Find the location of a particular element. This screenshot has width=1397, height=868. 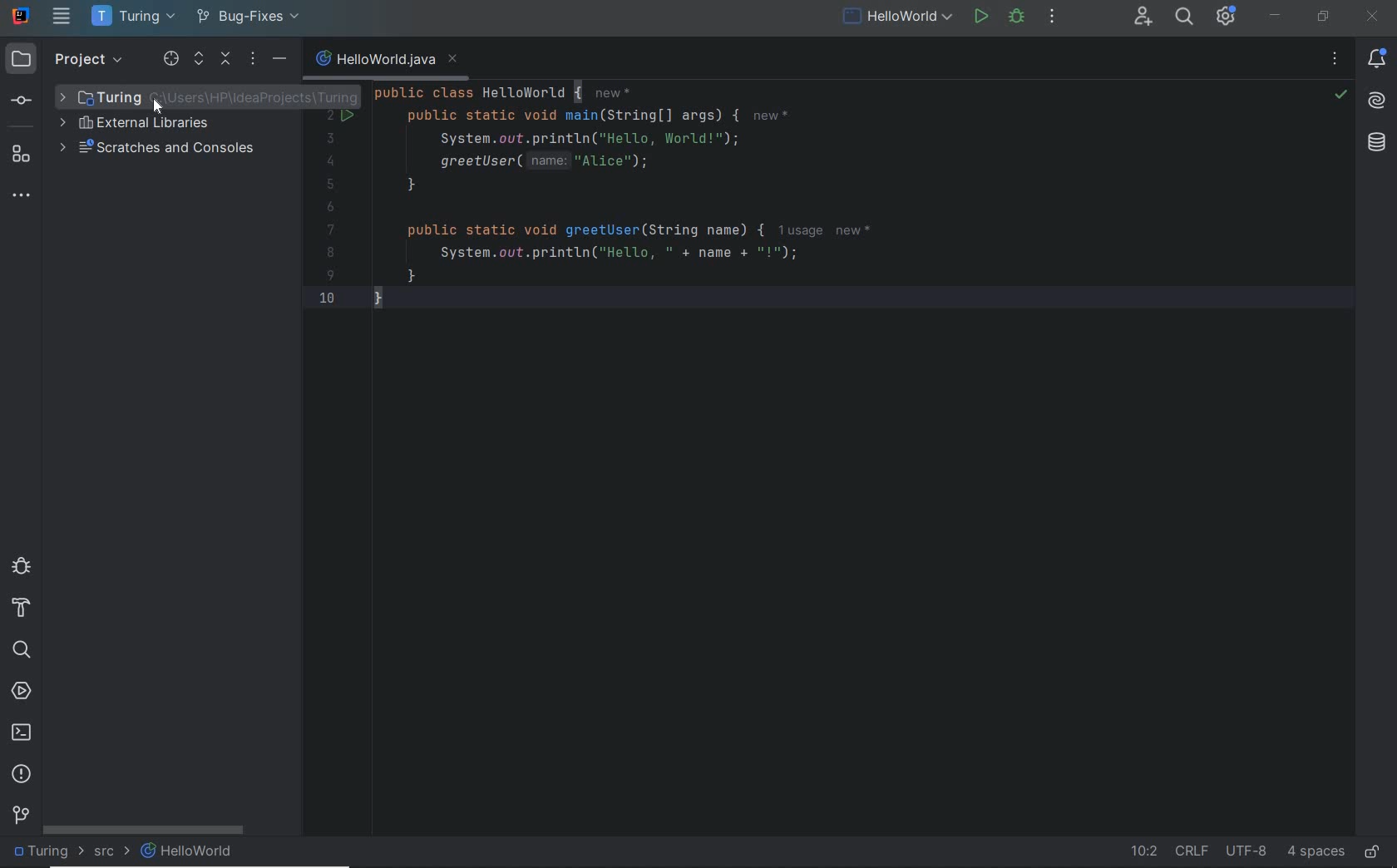

minimize is located at coordinates (1276, 16).